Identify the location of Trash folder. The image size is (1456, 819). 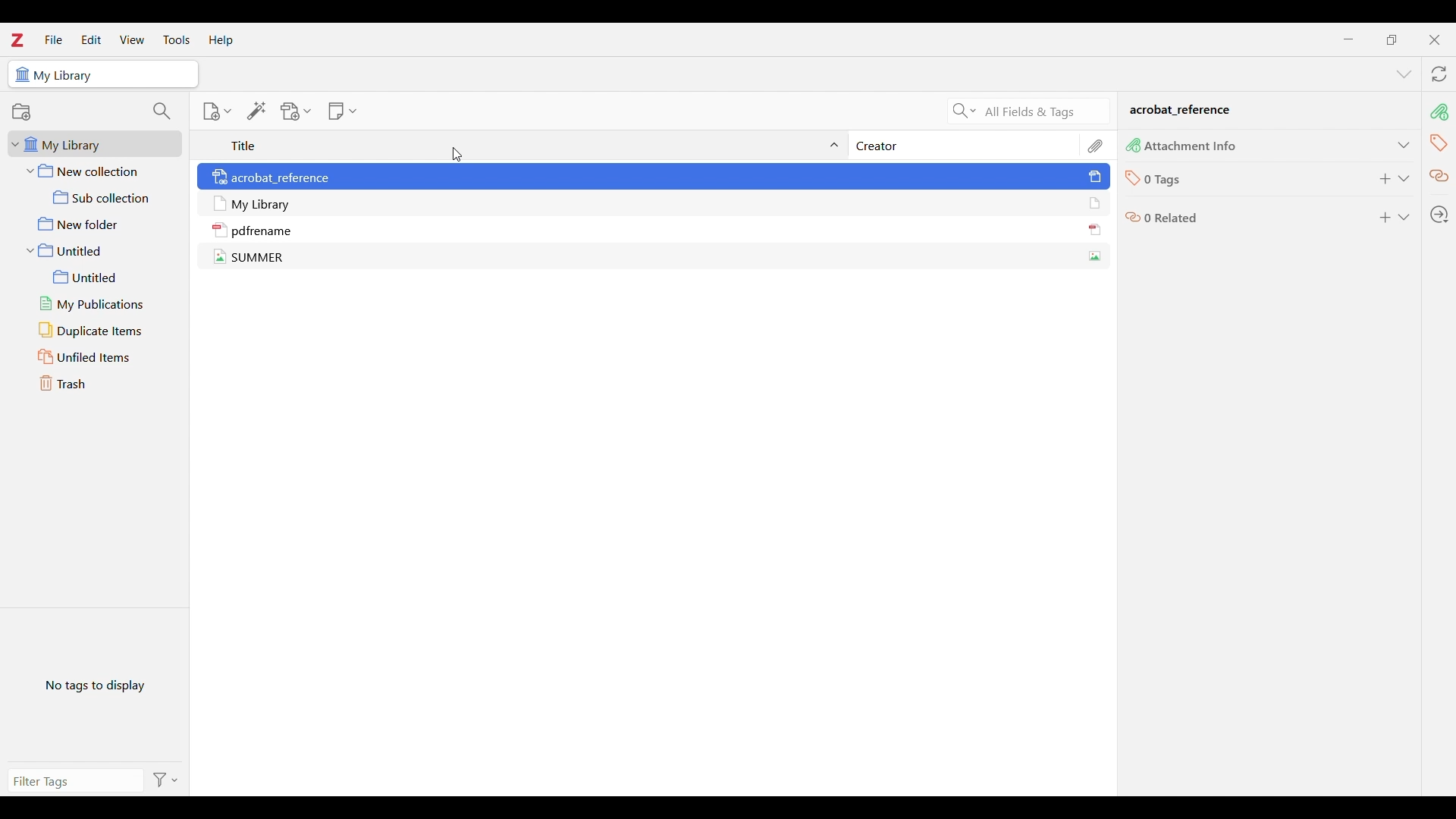
(99, 383).